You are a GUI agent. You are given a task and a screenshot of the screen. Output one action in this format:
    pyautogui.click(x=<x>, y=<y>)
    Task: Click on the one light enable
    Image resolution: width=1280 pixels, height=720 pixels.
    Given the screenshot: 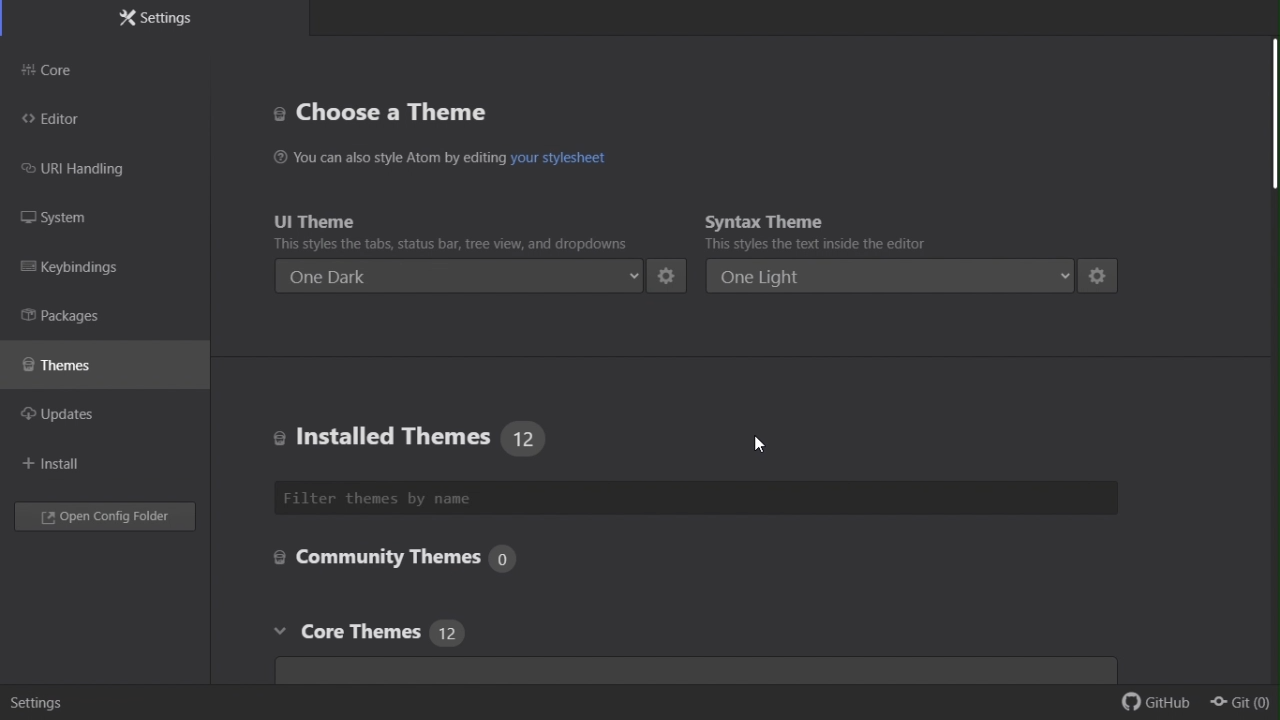 What is the action you would take?
    pyautogui.click(x=891, y=275)
    